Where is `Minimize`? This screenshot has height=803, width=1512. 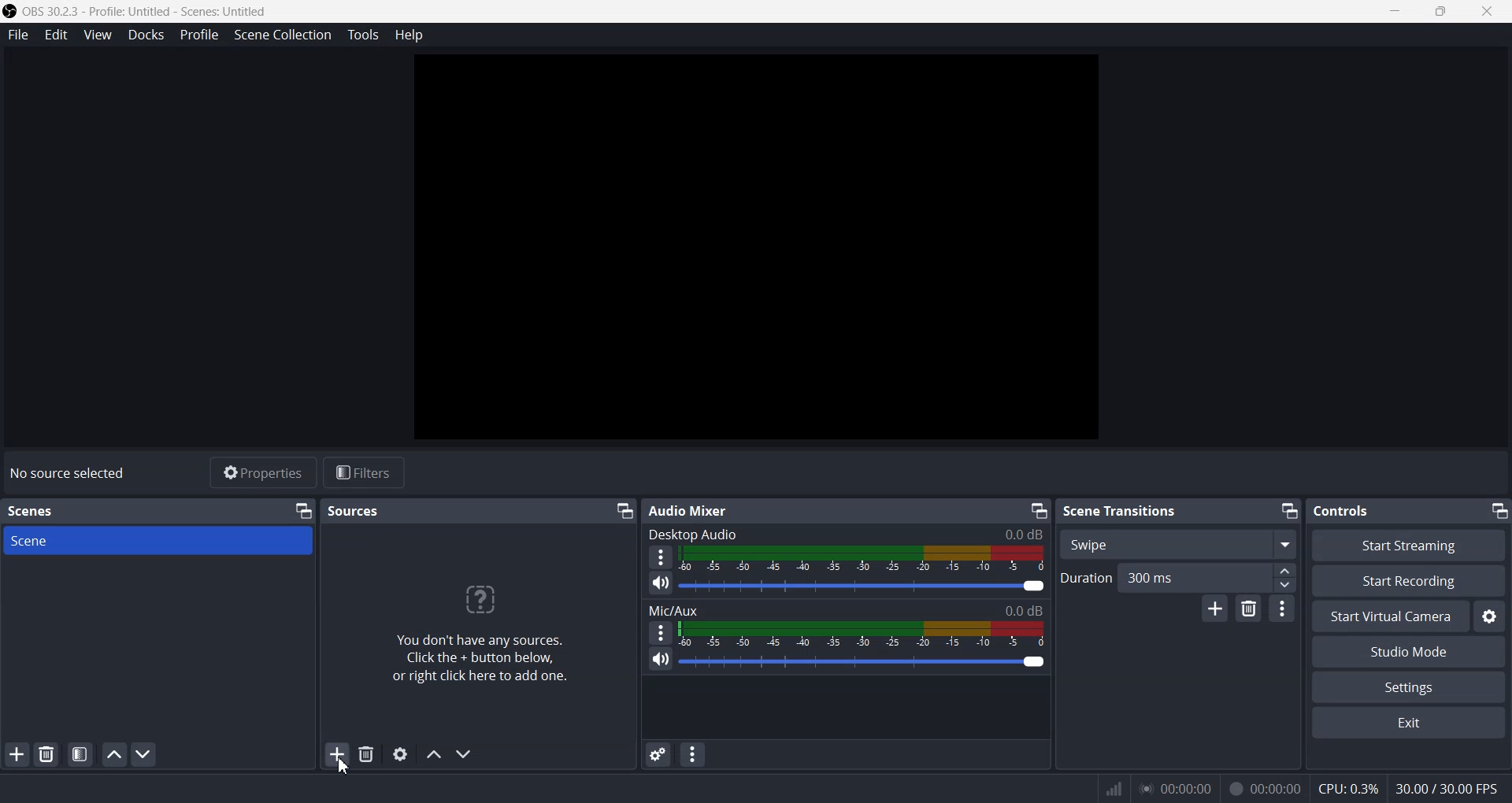 Minimize is located at coordinates (1497, 510).